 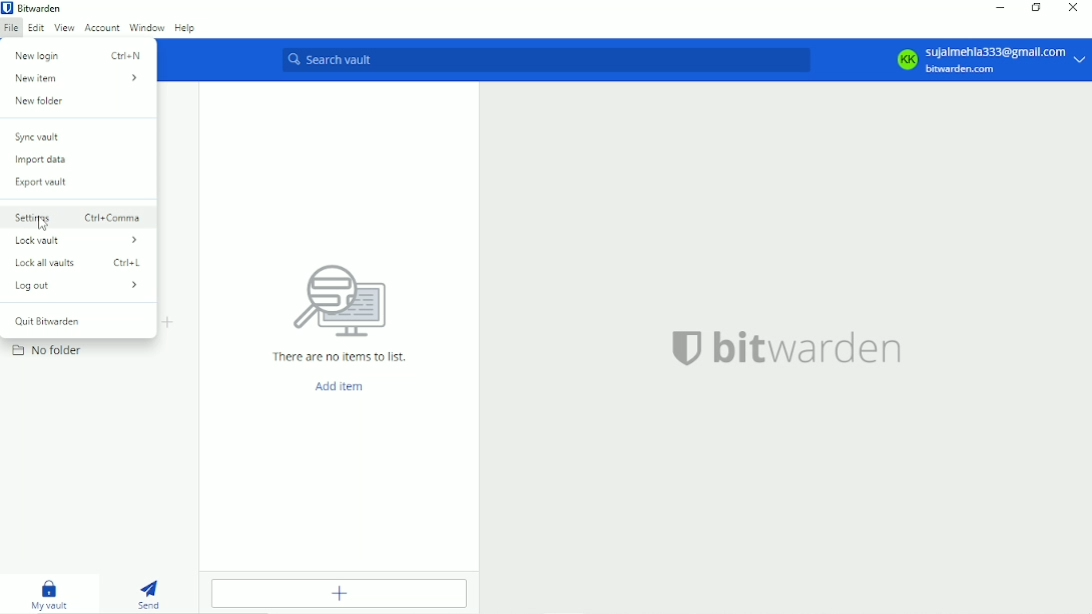 I want to click on Settings, so click(x=77, y=219).